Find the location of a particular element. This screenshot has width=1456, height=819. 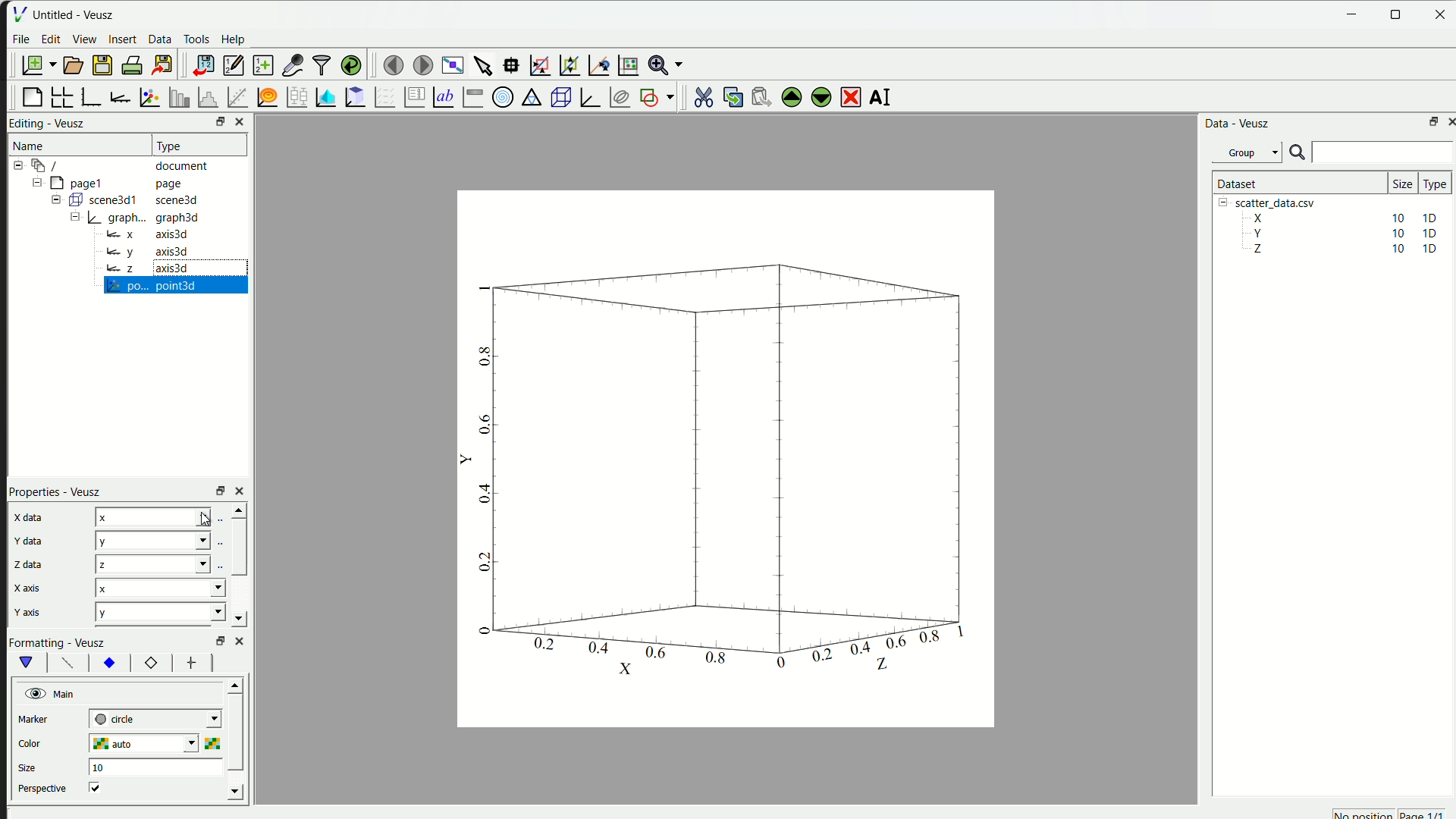

| Auto is located at coordinates (169, 540).